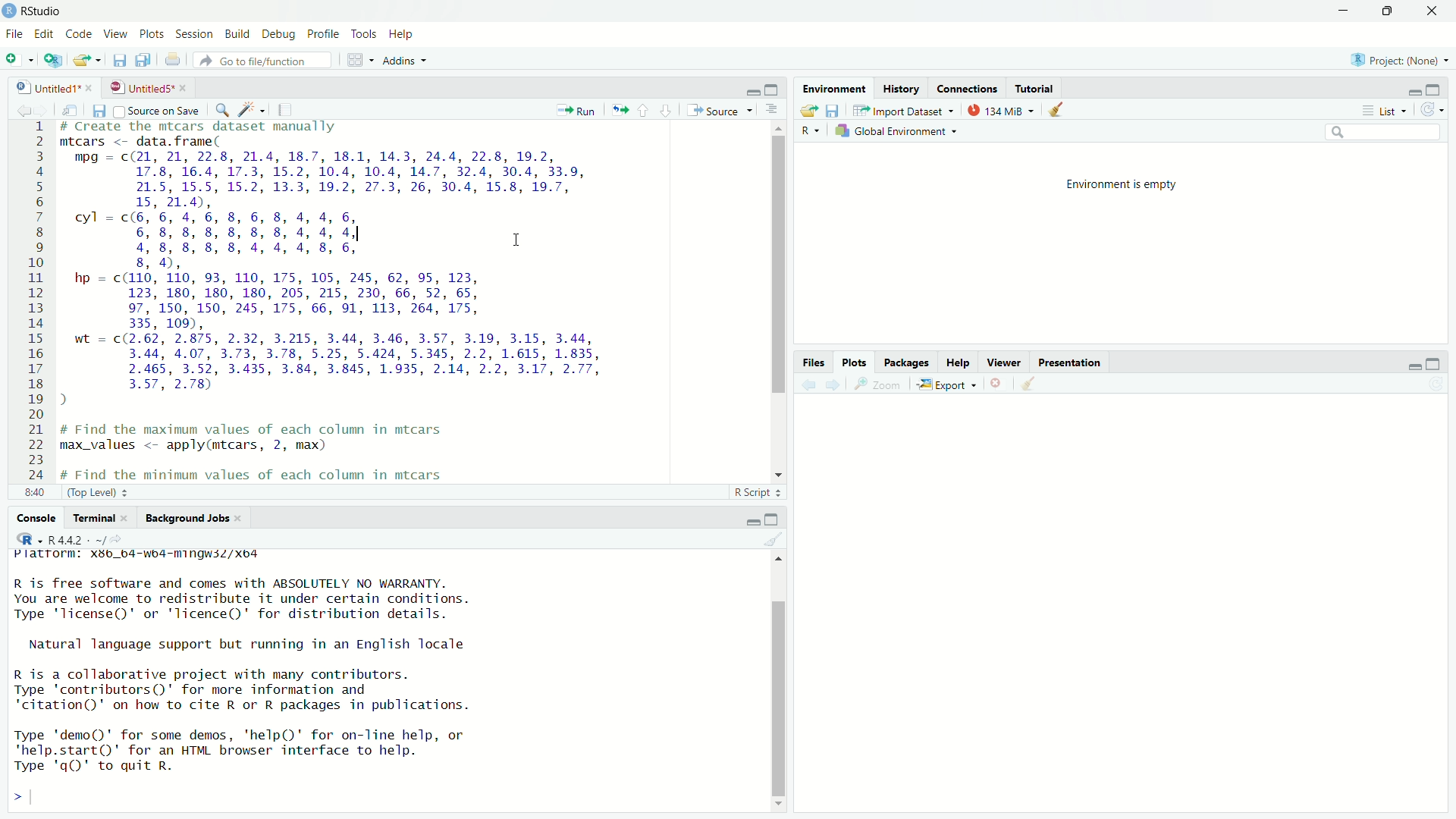 The width and height of the screenshot is (1456, 819). What do you see at coordinates (1386, 132) in the screenshot?
I see `search` at bounding box center [1386, 132].